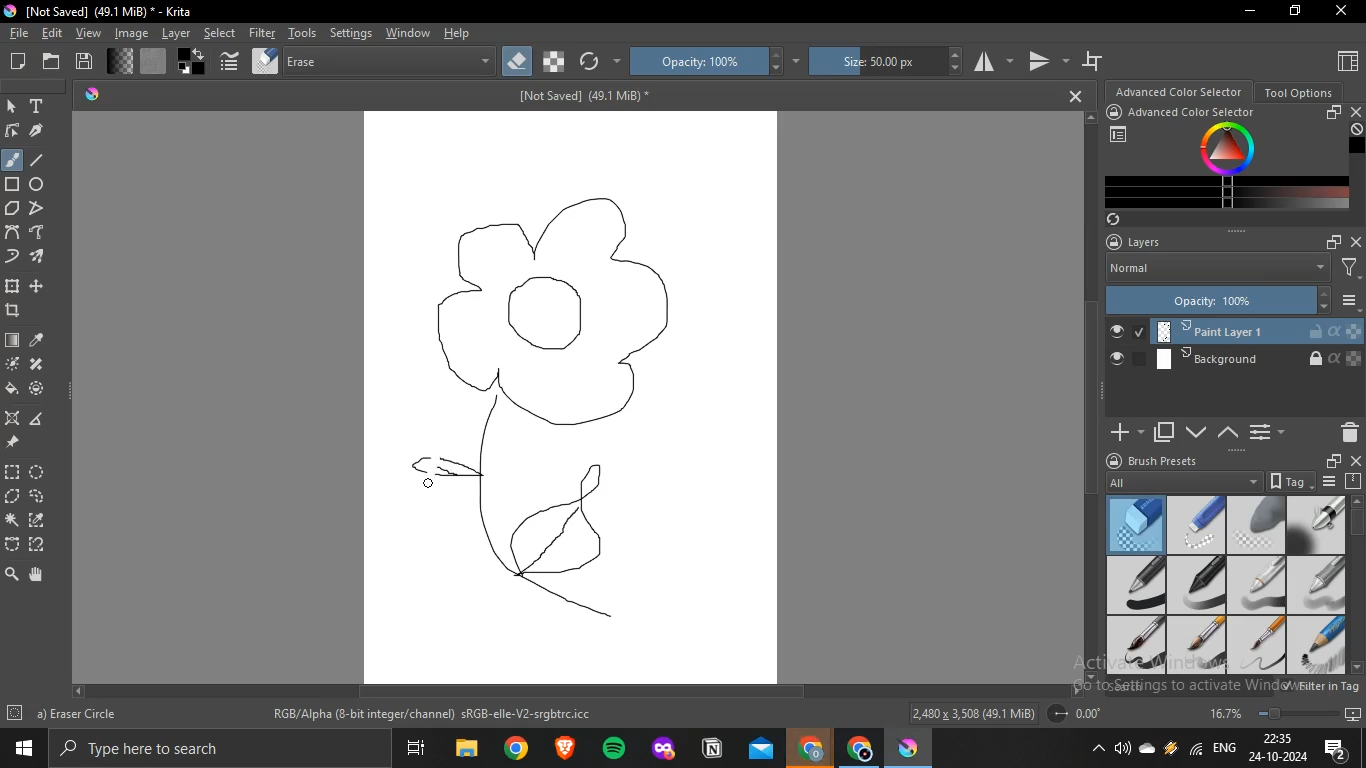 The image size is (1366, 768). What do you see at coordinates (222, 749) in the screenshot?
I see `Search bar` at bounding box center [222, 749].